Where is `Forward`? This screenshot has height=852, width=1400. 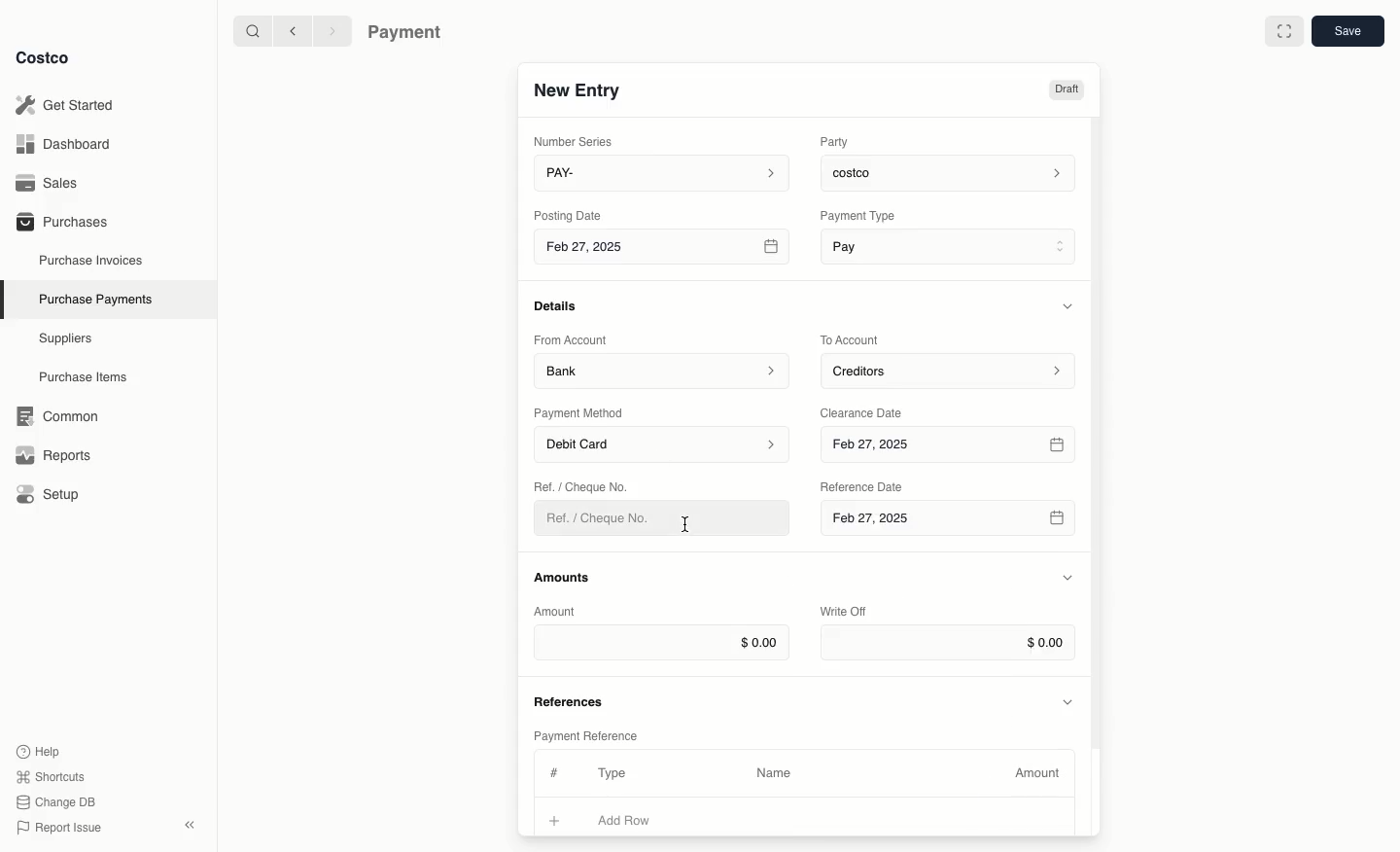 Forward is located at coordinates (331, 30).